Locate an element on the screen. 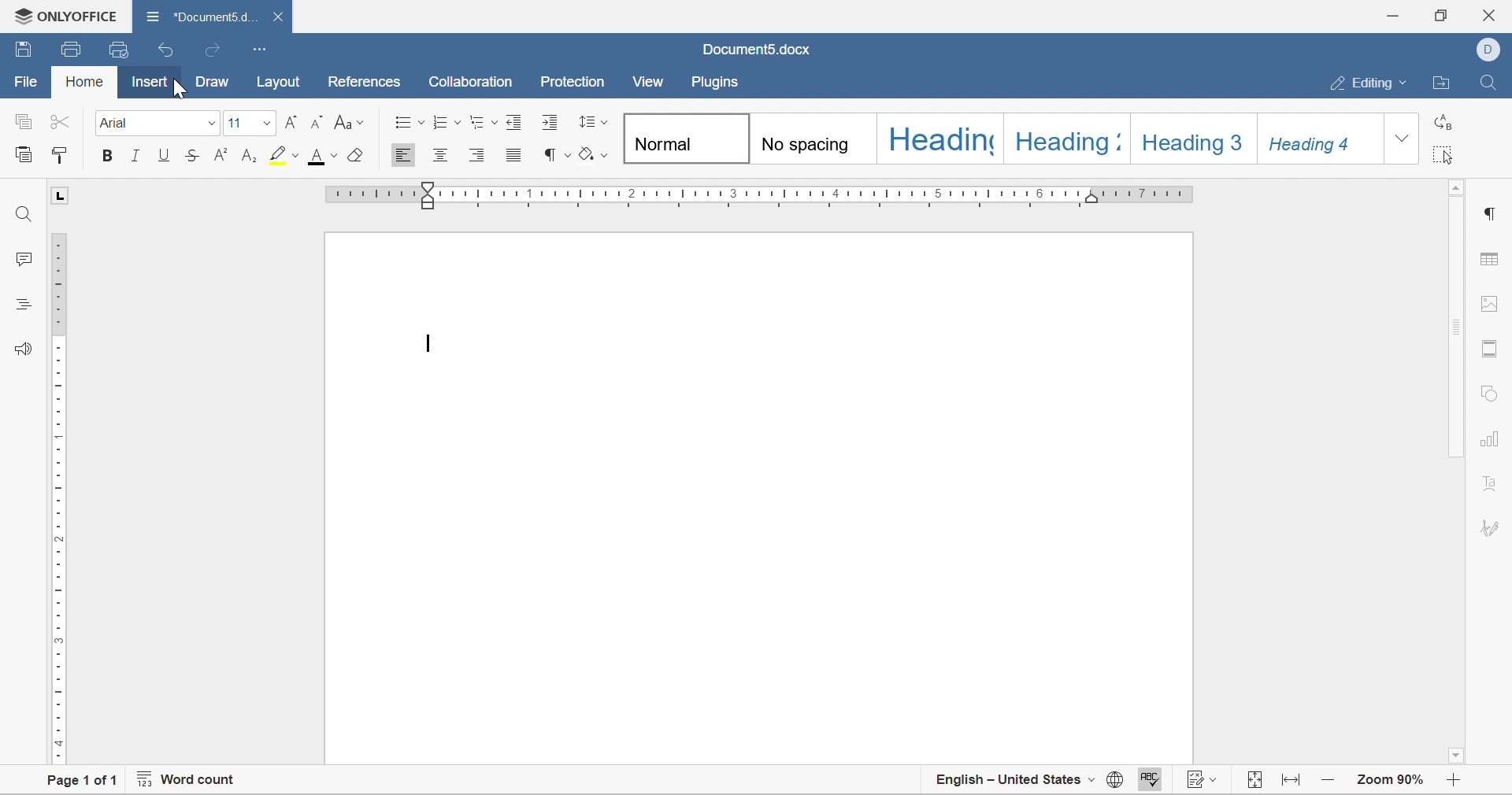  strikethrough is located at coordinates (194, 157).